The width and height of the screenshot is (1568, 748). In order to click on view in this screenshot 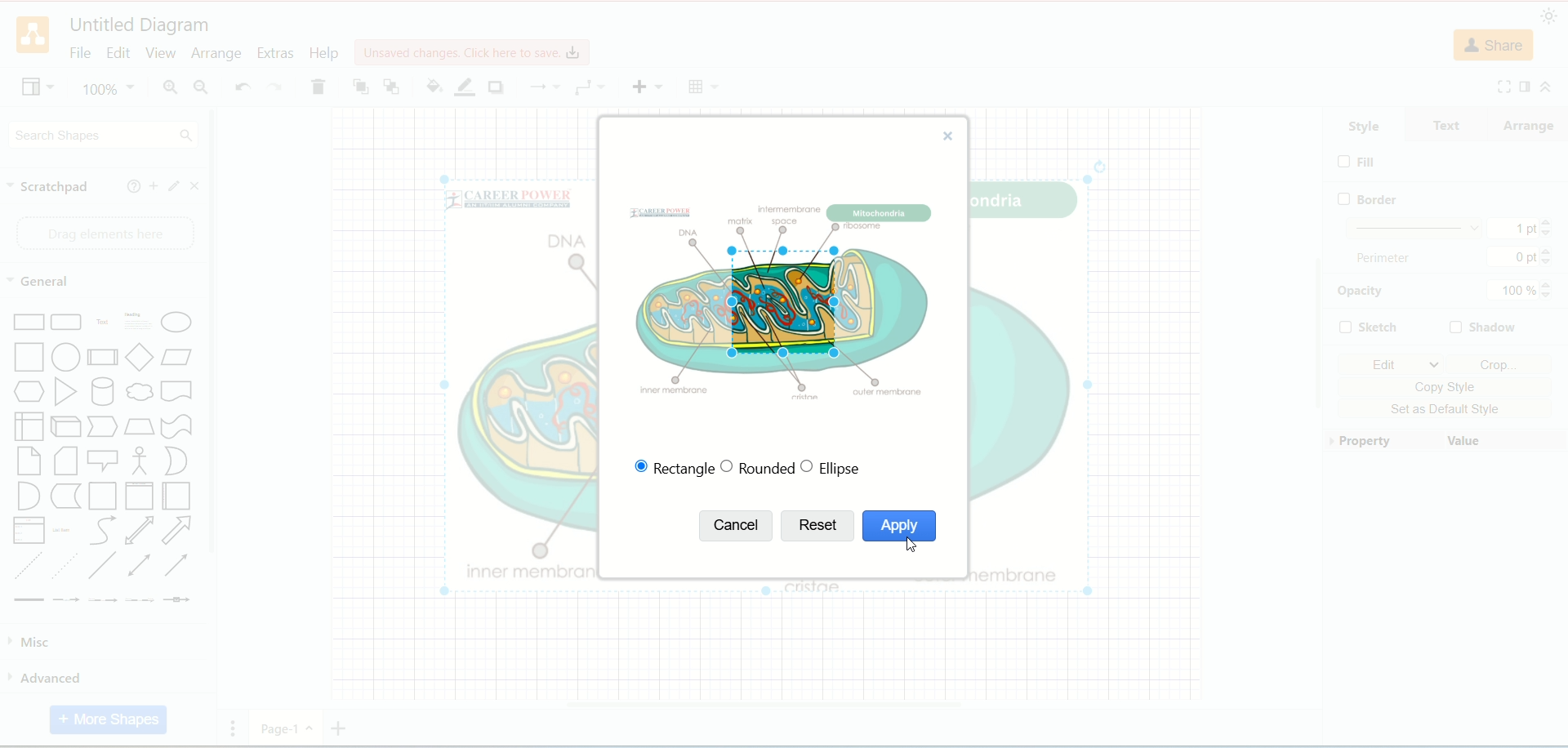, I will do `click(33, 89)`.